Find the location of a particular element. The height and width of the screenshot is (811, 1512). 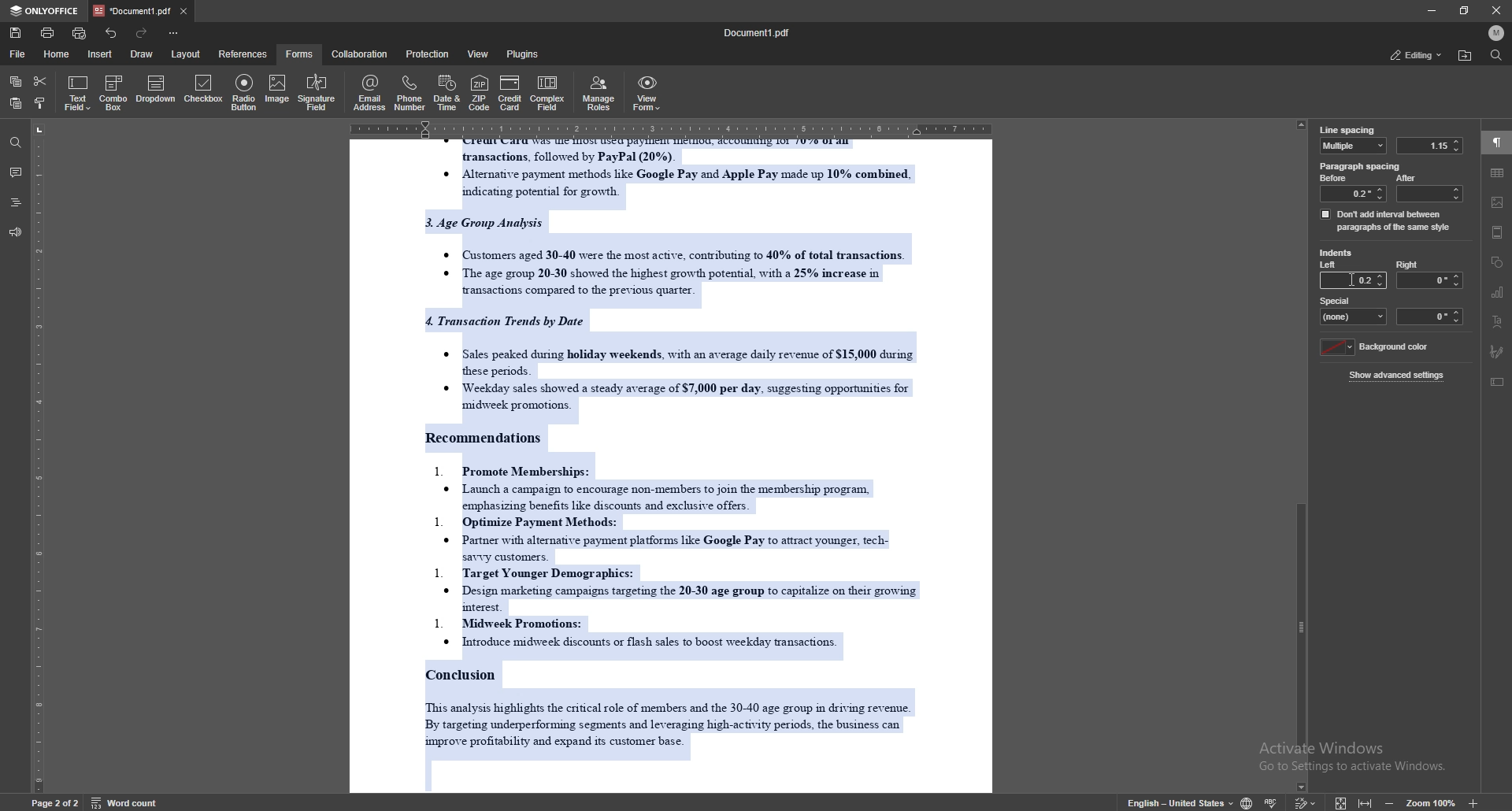

page is located at coordinates (55, 802).